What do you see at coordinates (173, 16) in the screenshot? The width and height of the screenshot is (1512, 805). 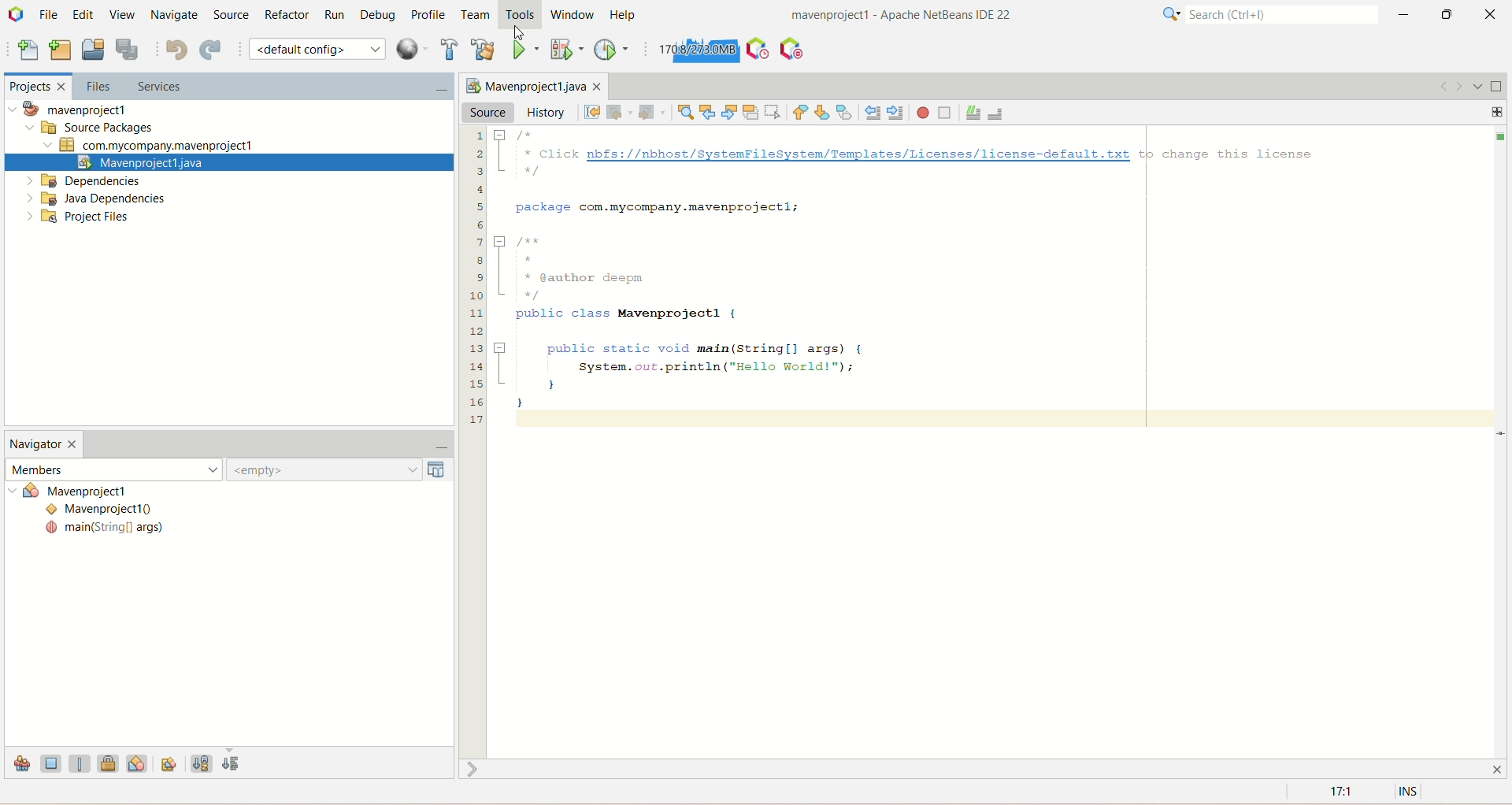 I see `navigate` at bounding box center [173, 16].